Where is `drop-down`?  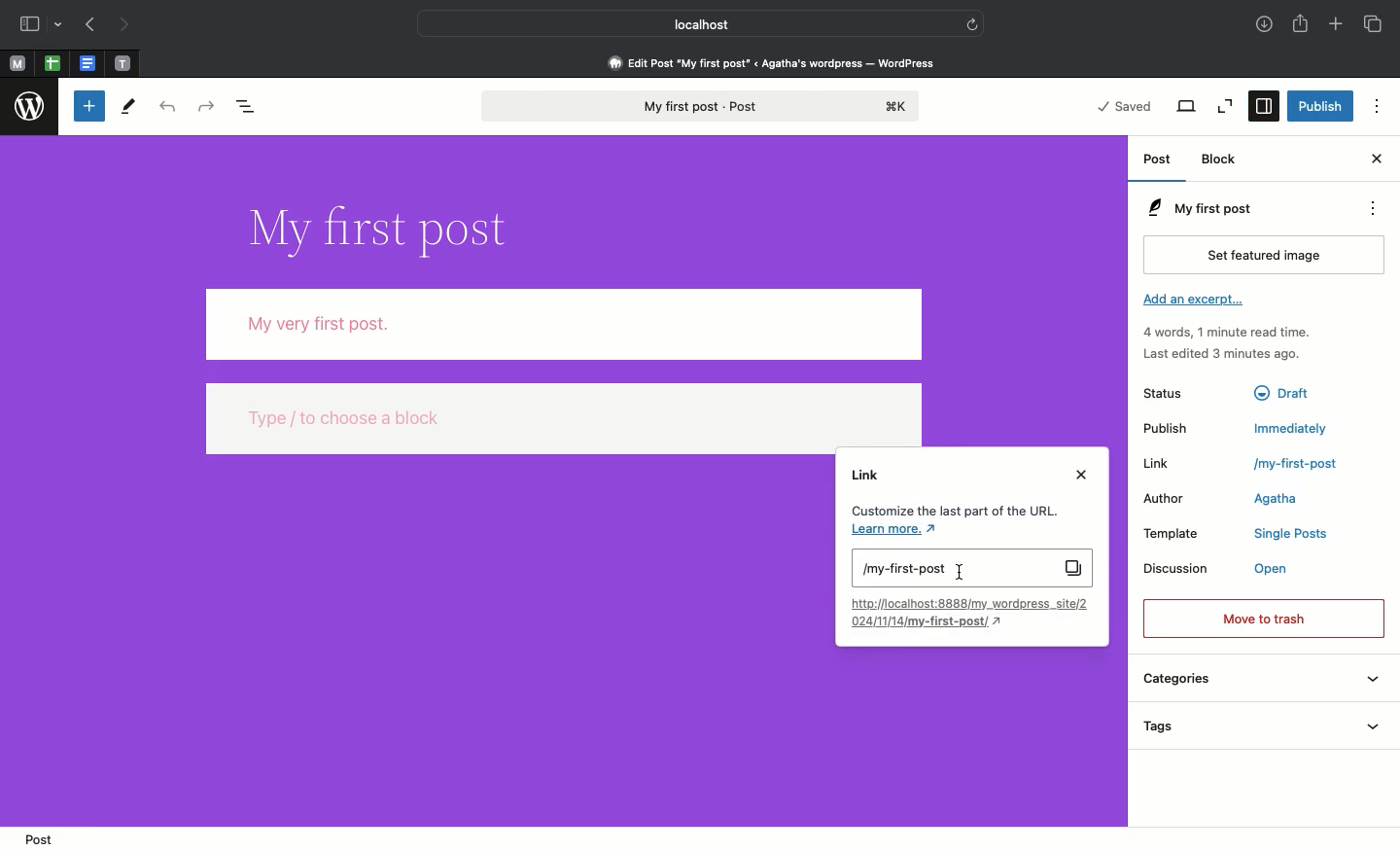 drop-down is located at coordinates (60, 22).